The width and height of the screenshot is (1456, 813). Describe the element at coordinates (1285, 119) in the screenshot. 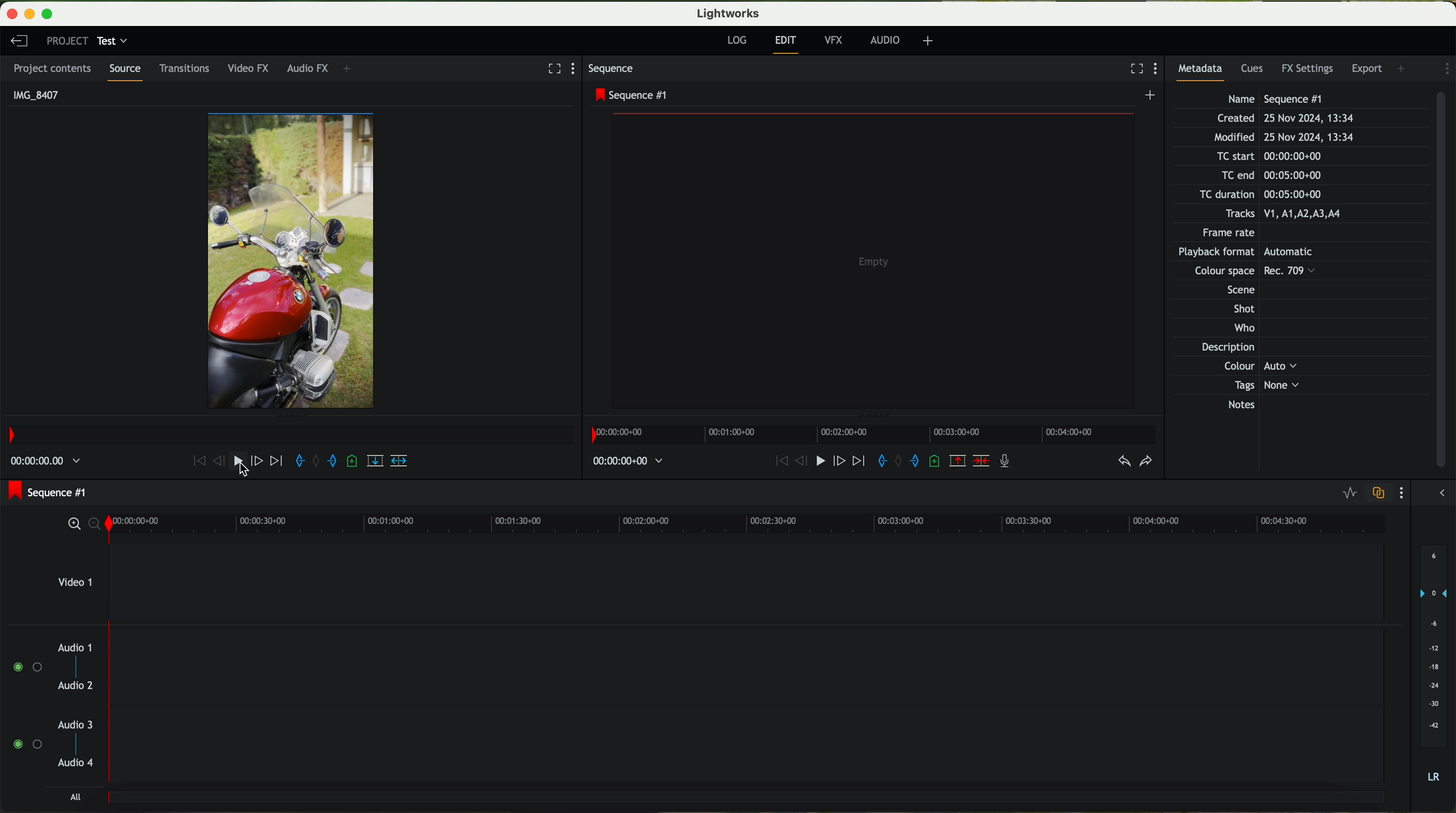

I see `Created` at that location.